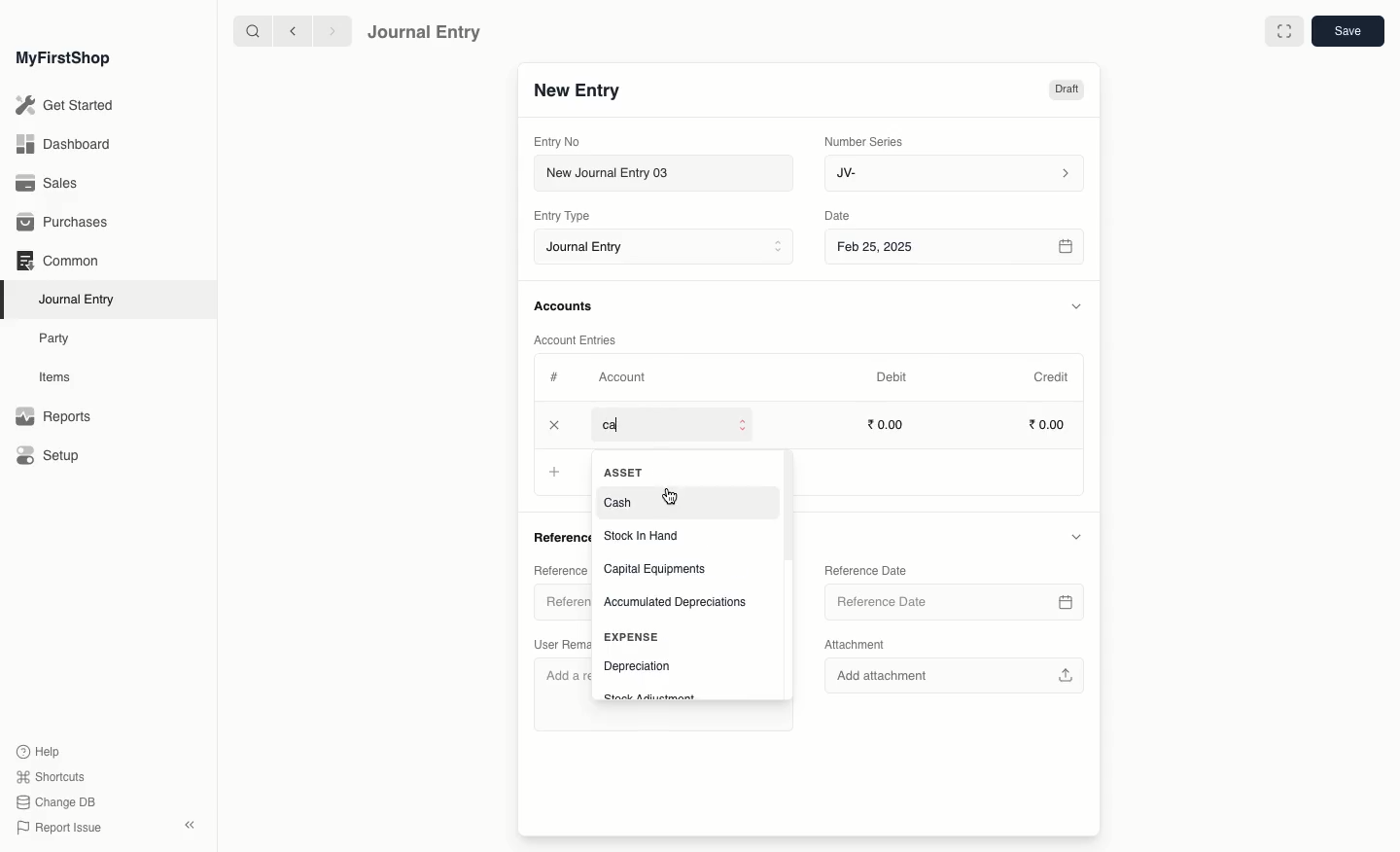  I want to click on Help, so click(36, 750).